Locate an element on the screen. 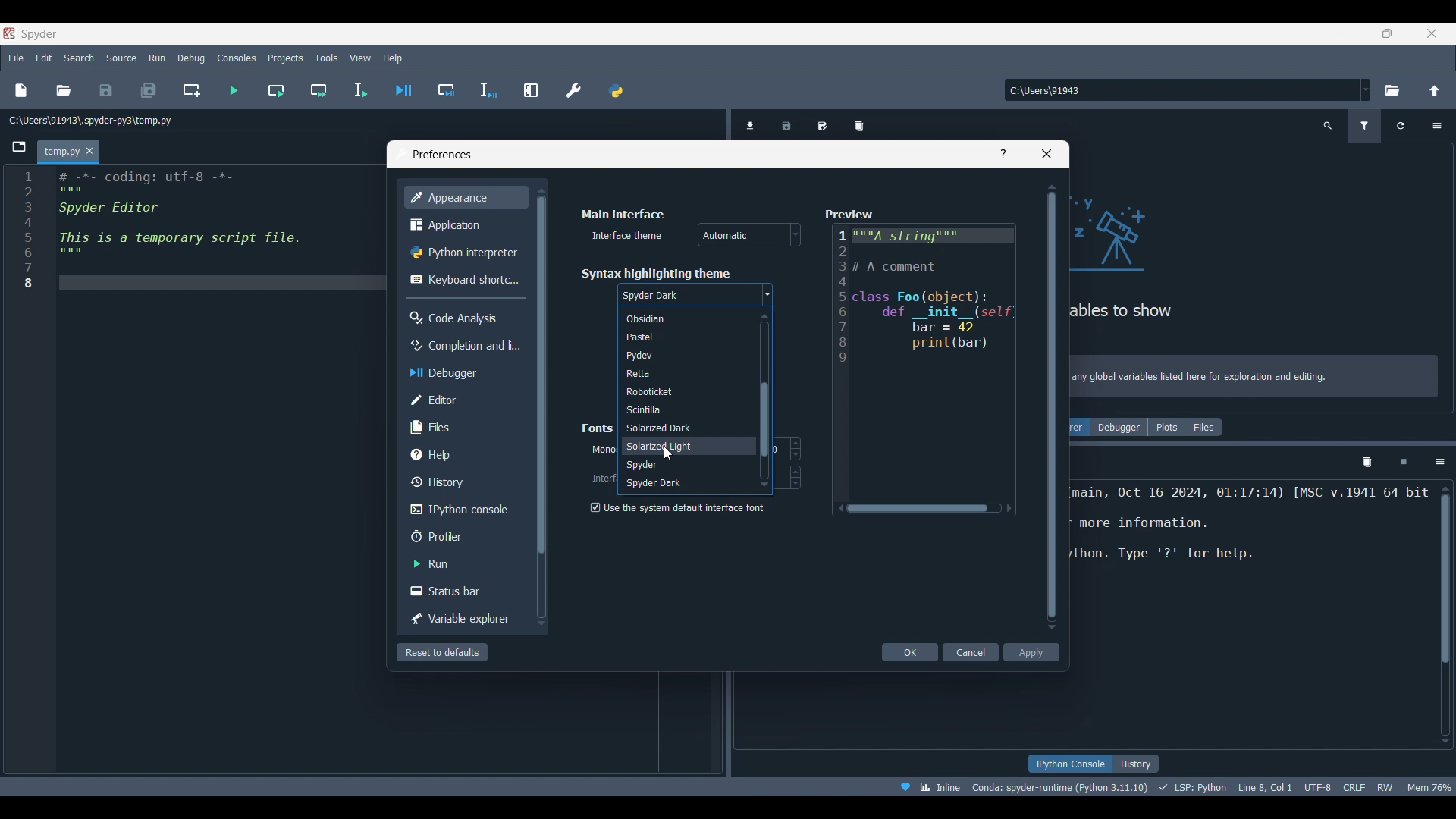  Section title is located at coordinates (624, 214).